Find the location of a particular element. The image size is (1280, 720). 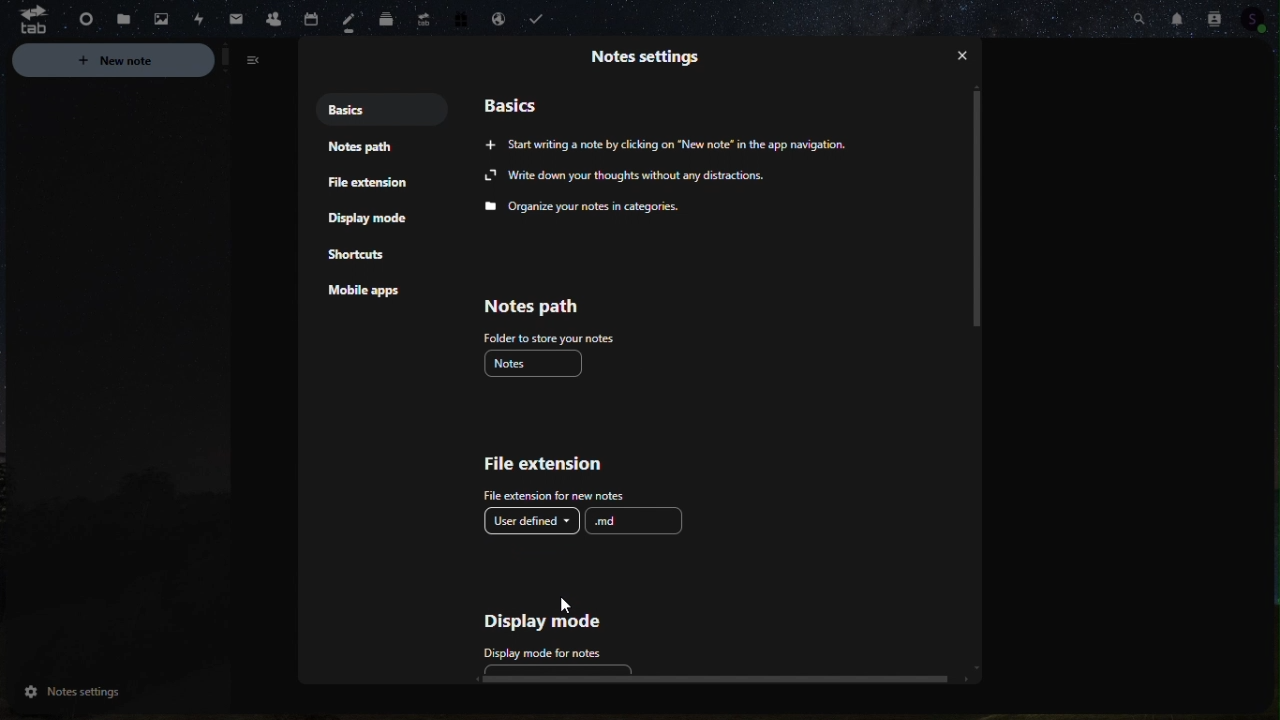

Shortcut is located at coordinates (368, 258).